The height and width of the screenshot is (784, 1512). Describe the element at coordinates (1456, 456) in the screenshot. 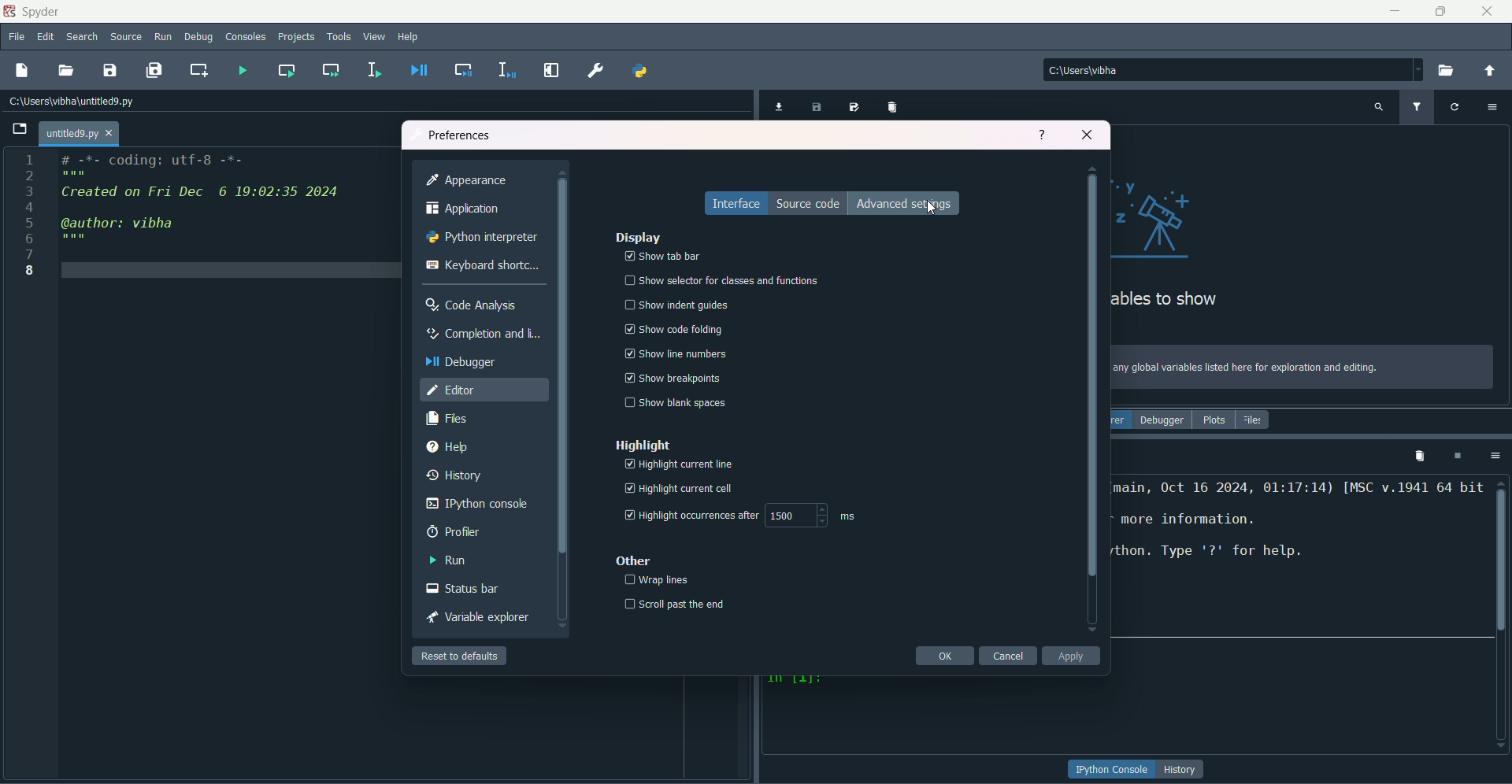

I see `interrupt kernel` at that location.